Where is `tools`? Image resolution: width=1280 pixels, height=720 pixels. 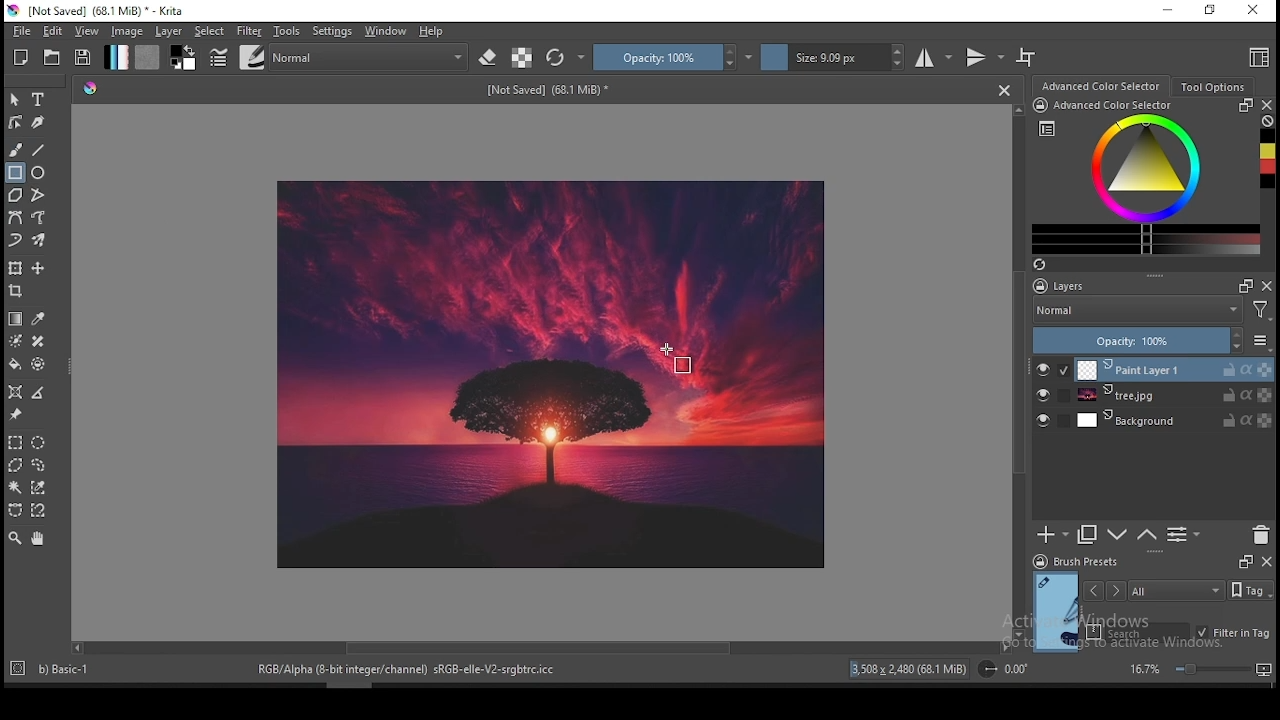 tools is located at coordinates (287, 32).